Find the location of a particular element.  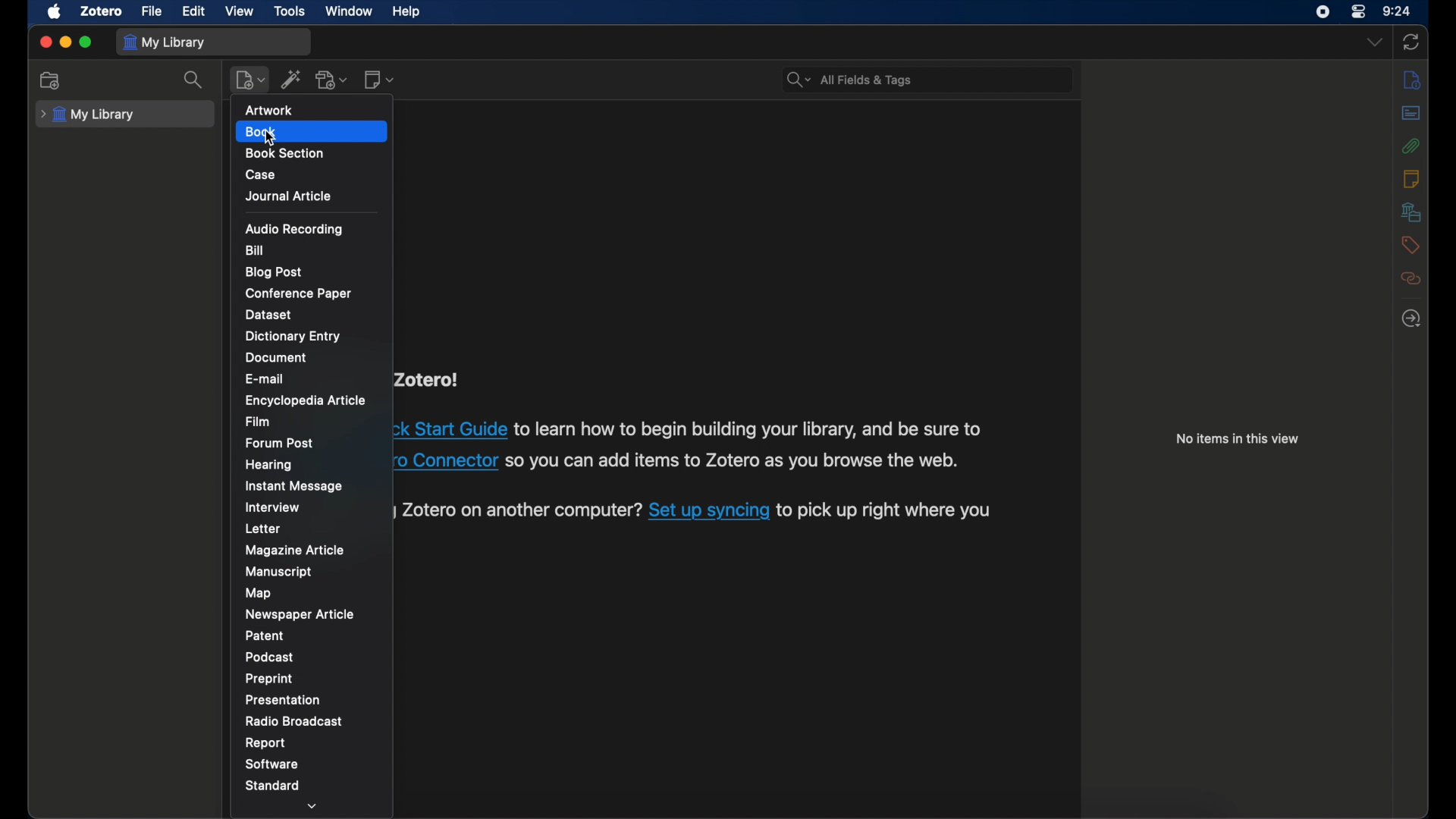

apple icon is located at coordinates (55, 12).